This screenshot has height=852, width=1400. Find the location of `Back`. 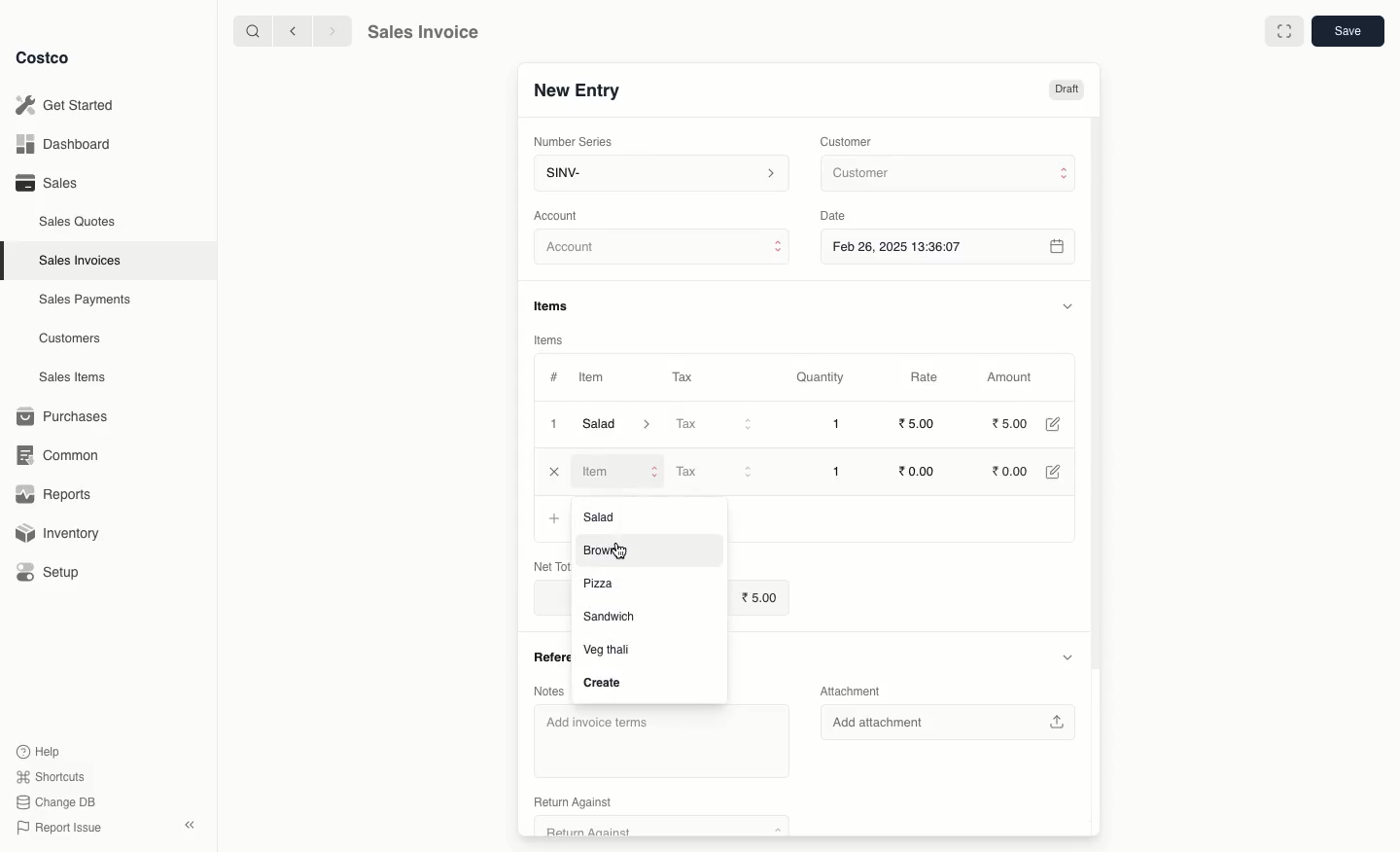

Back is located at coordinates (291, 31).